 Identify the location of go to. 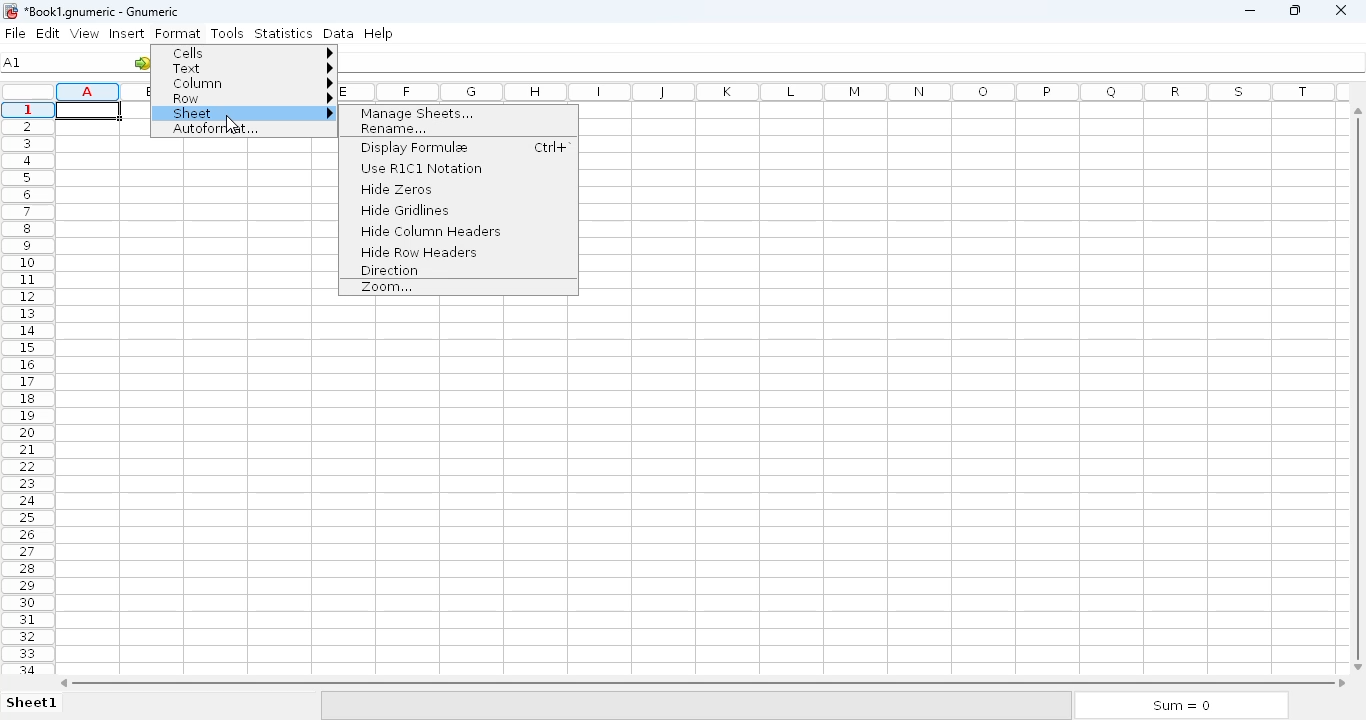
(143, 62).